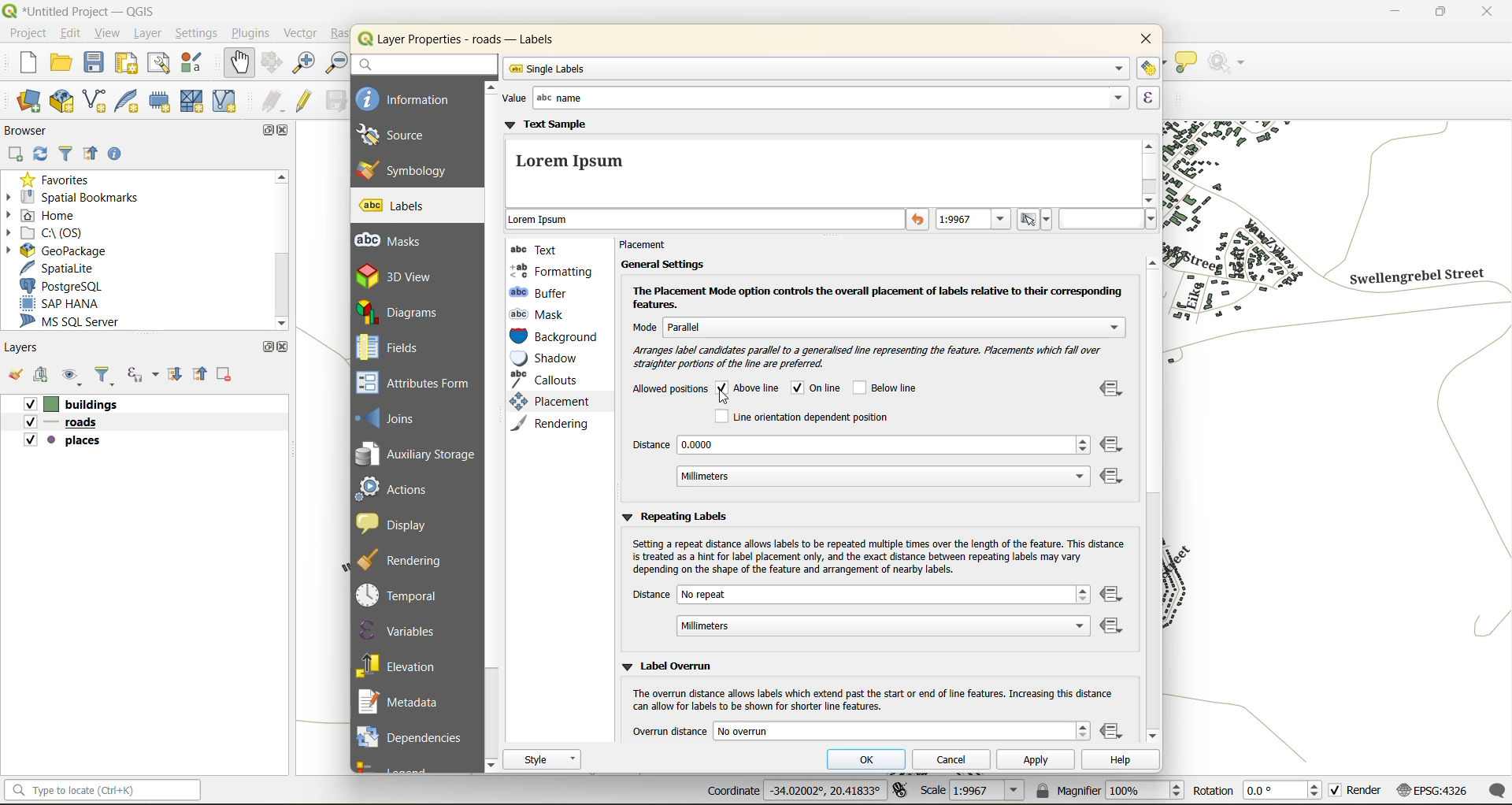 The width and height of the screenshot is (1512, 805). I want to click on elevation, so click(403, 664).